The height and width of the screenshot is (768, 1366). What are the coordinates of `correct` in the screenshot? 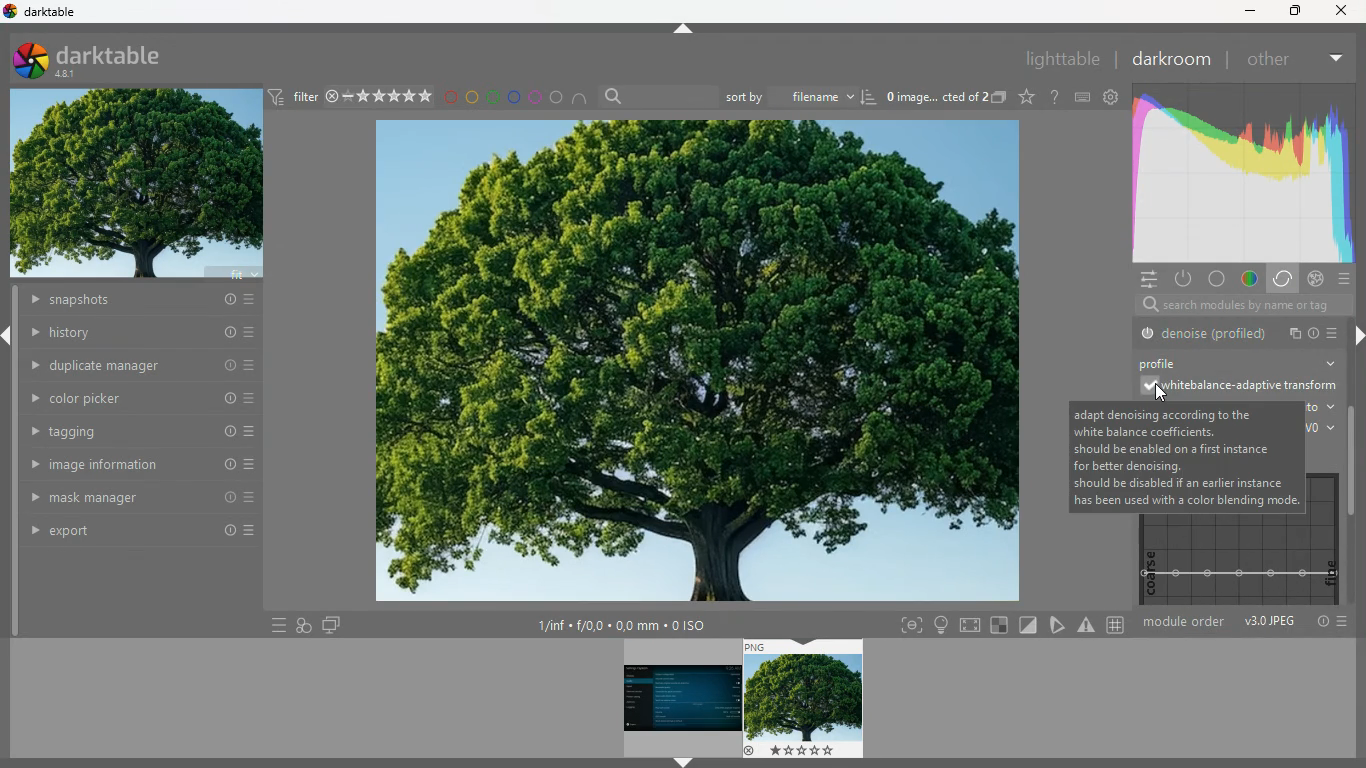 It's located at (1245, 170).